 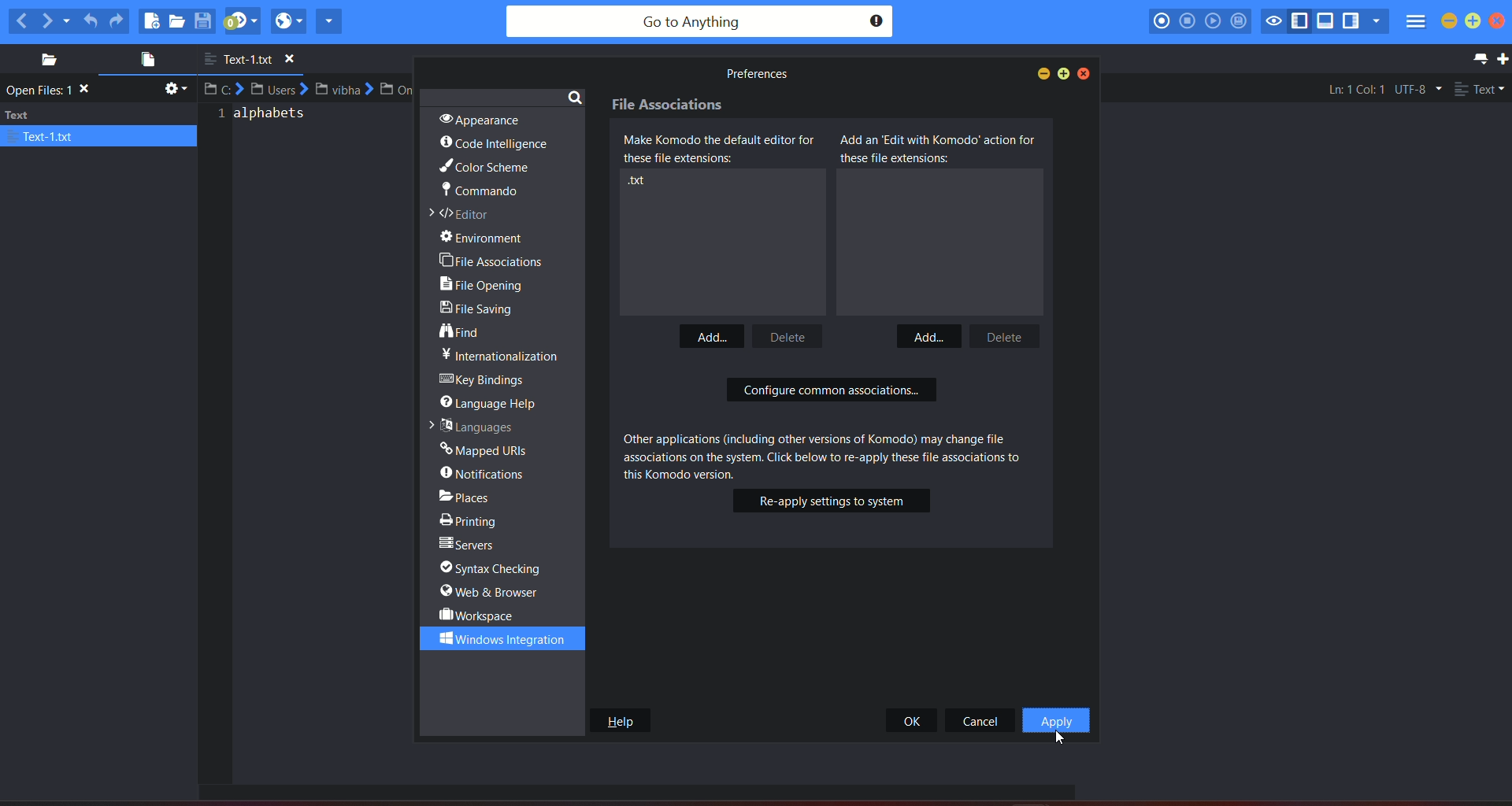 I want to click on int, so click(x=639, y=181).